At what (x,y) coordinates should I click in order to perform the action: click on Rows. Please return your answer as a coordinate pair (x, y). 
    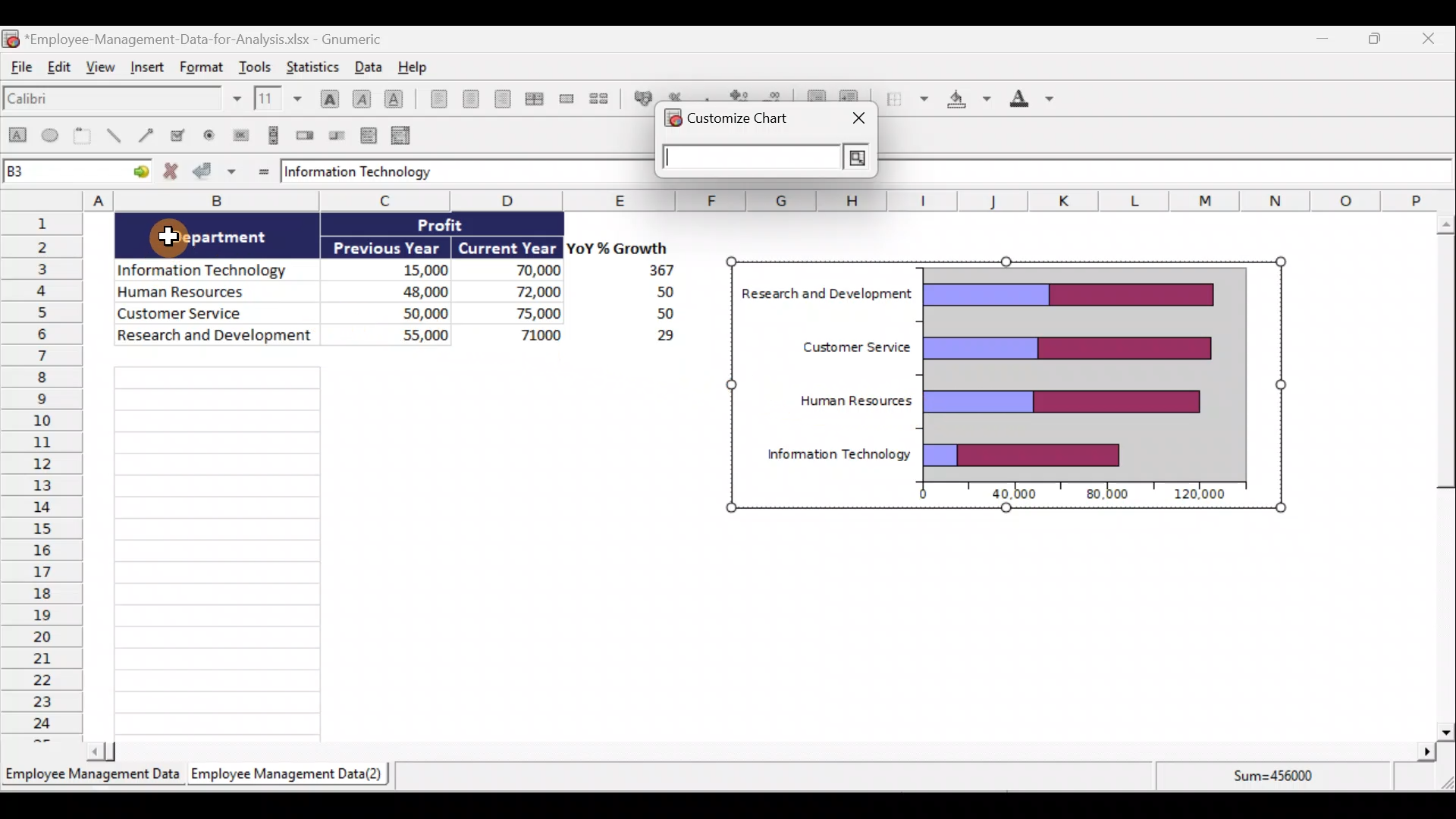
    Looking at the image, I should click on (42, 478).